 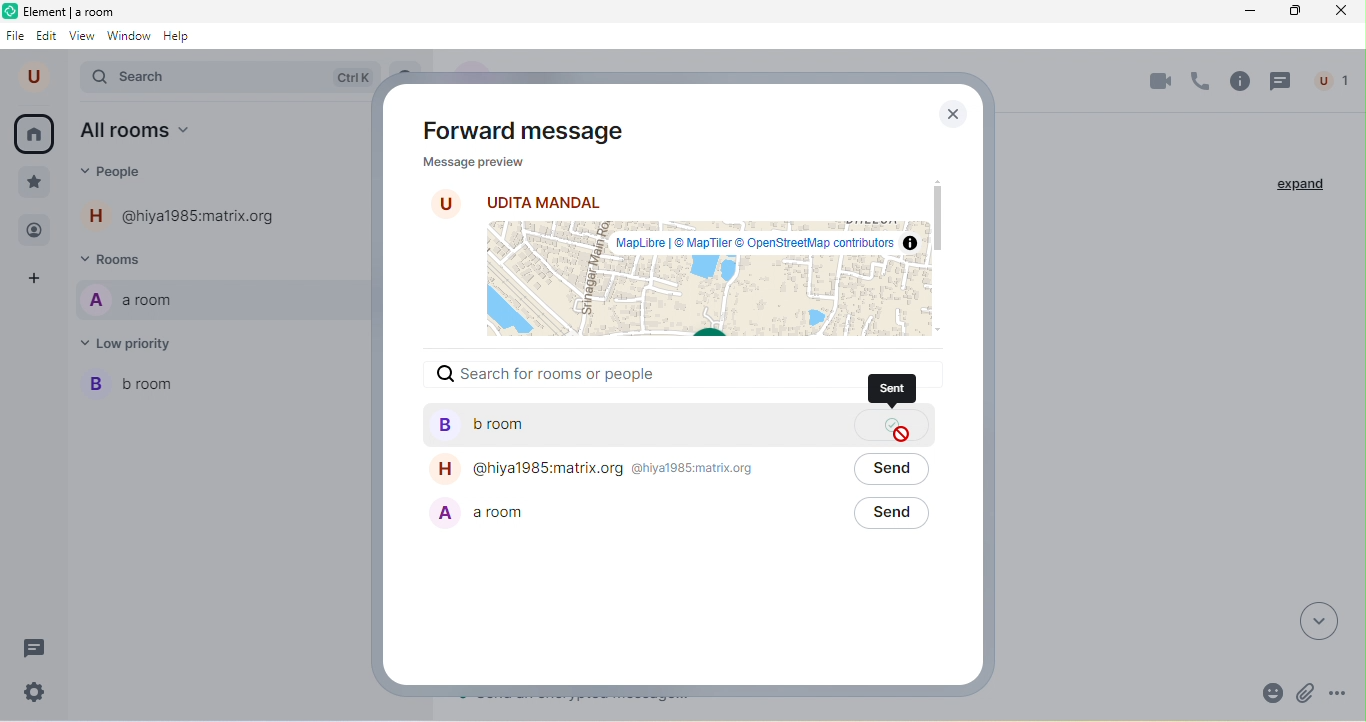 I want to click on close, so click(x=950, y=113).